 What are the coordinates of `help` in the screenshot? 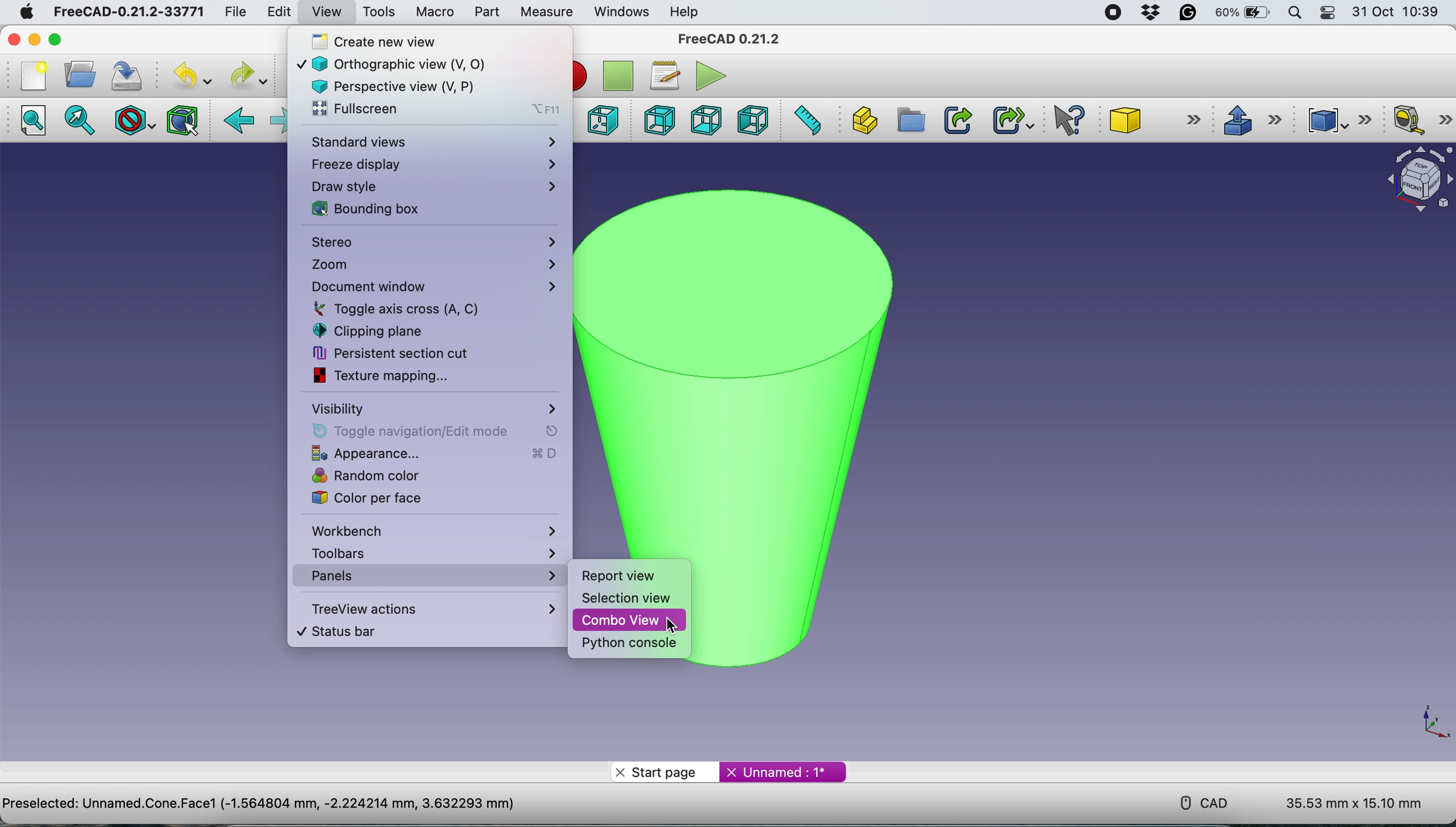 It's located at (685, 11).